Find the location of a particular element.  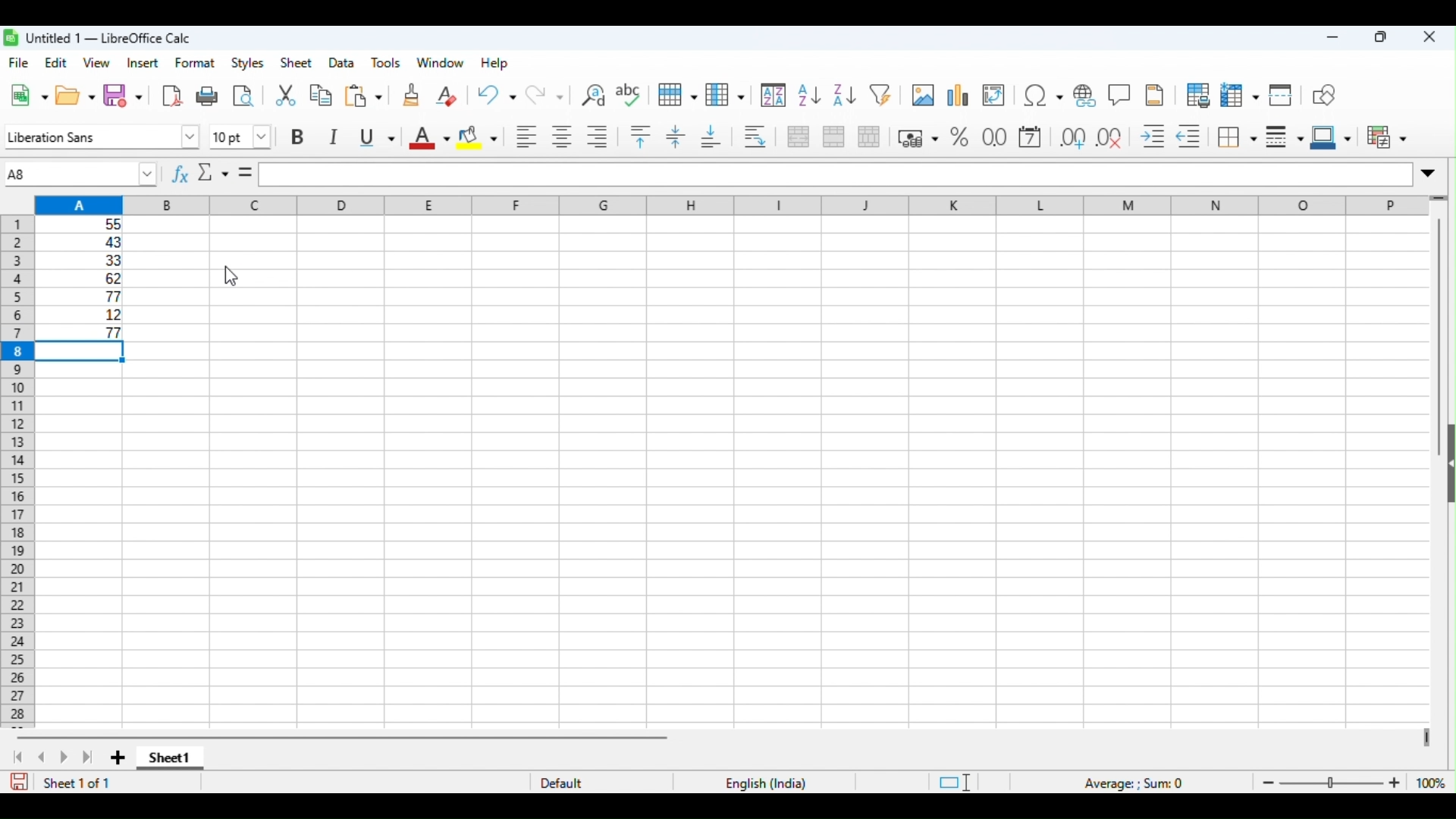

border color is located at coordinates (1330, 136).